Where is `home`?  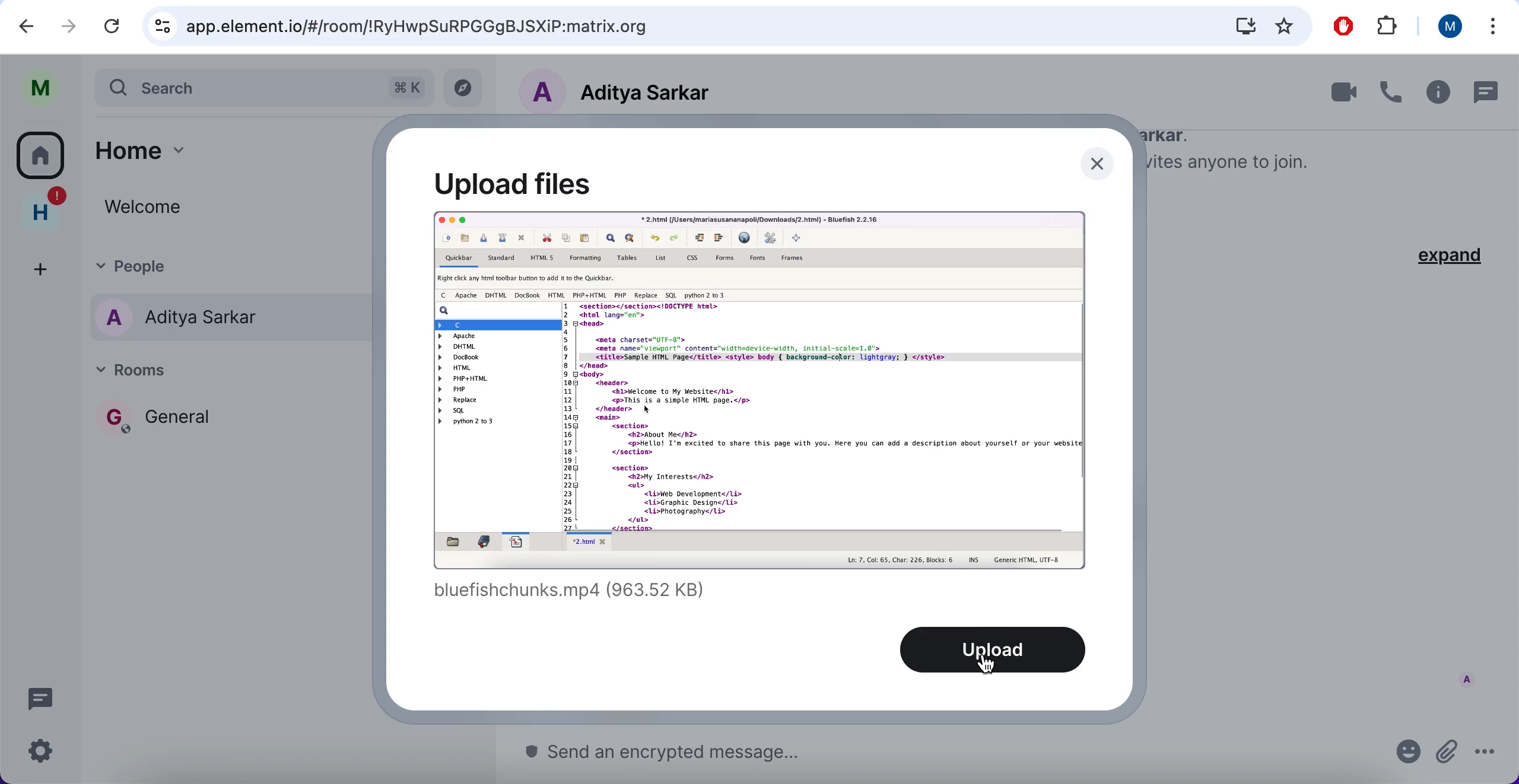 home is located at coordinates (231, 147).